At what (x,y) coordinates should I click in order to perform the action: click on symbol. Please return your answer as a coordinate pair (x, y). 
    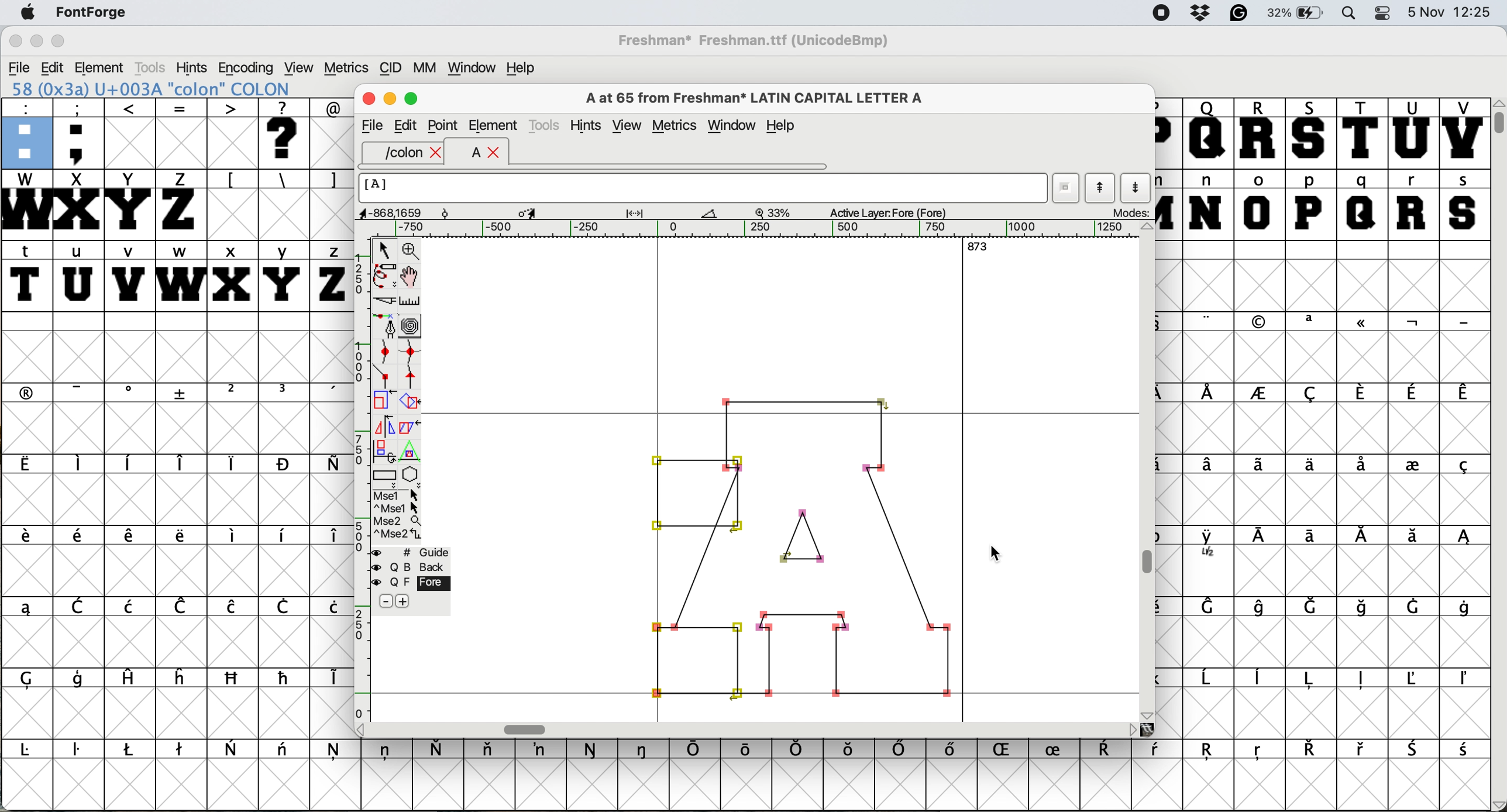
    Looking at the image, I should click on (441, 748).